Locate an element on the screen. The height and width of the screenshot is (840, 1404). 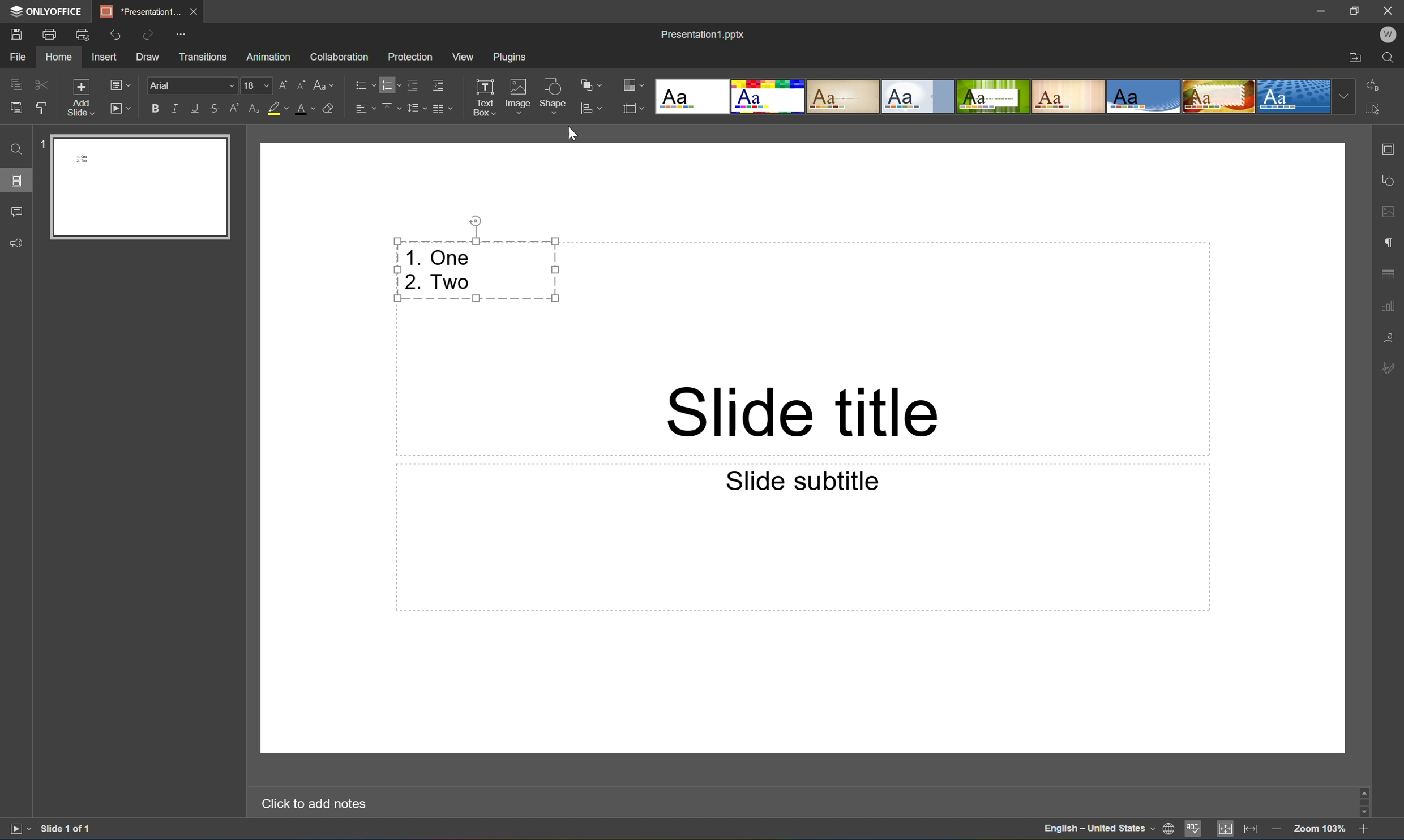
Font is located at coordinates (193, 85).